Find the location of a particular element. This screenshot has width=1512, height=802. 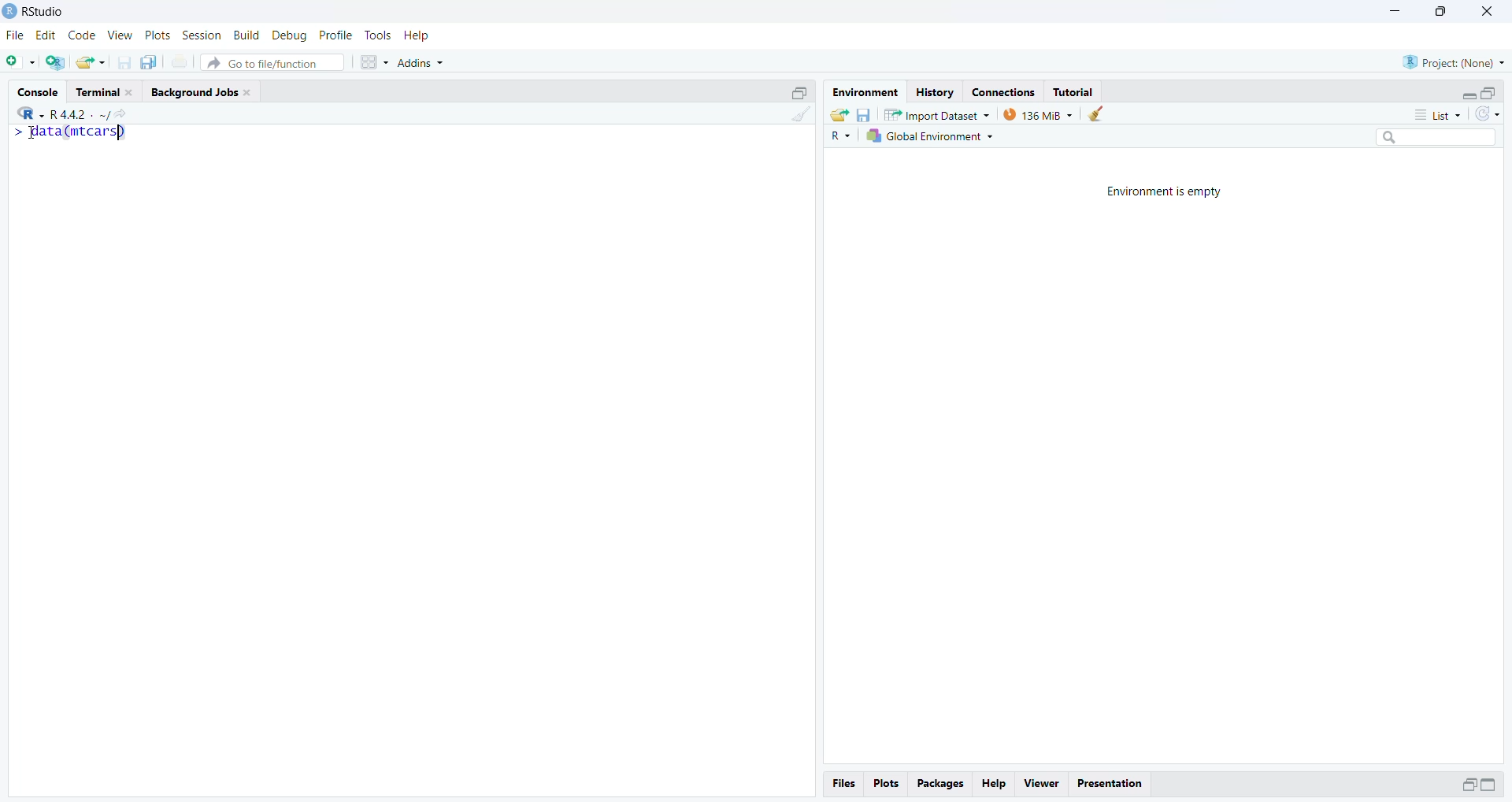

Search bar is located at coordinates (1443, 139).